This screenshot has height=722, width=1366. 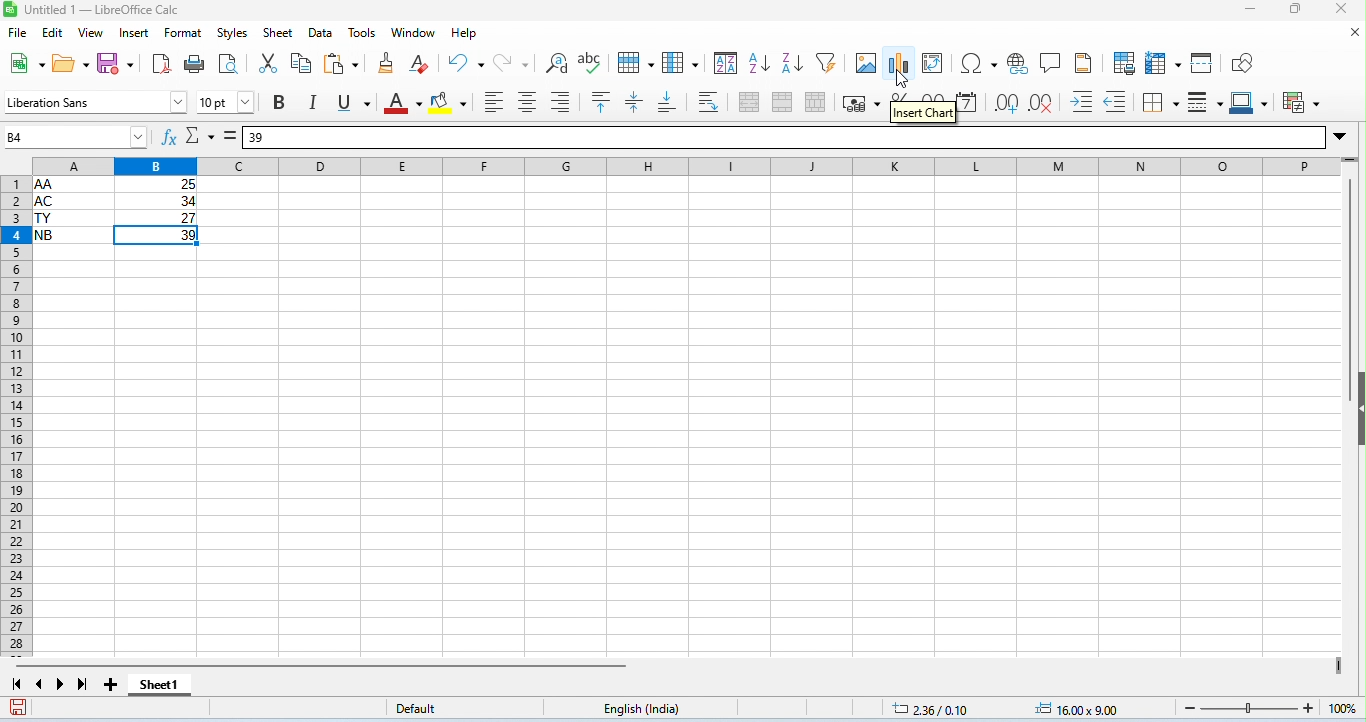 I want to click on header and footer, so click(x=1084, y=64).